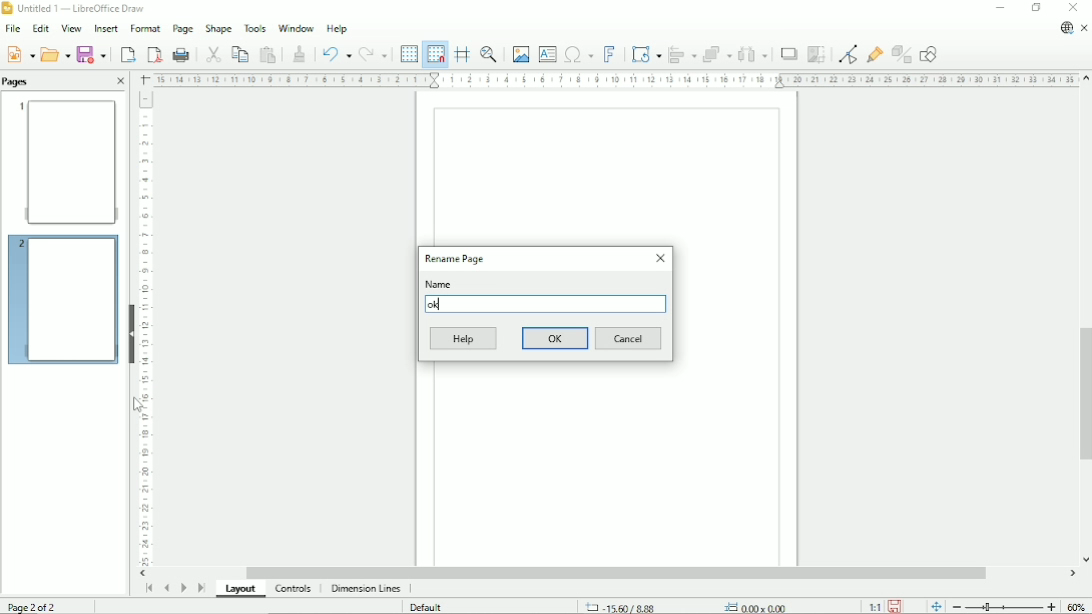 The image size is (1092, 614). What do you see at coordinates (629, 339) in the screenshot?
I see `Cancel` at bounding box center [629, 339].